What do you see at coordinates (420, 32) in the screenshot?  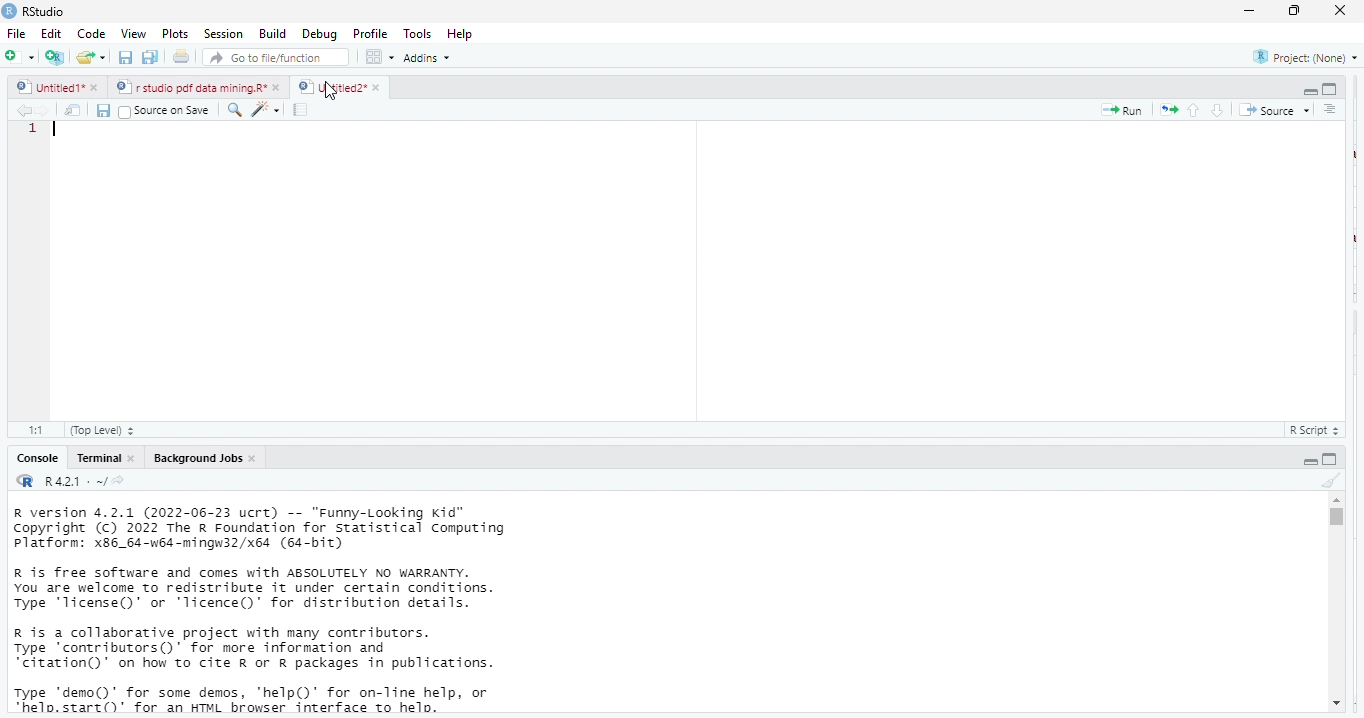 I see `tools` at bounding box center [420, 32].